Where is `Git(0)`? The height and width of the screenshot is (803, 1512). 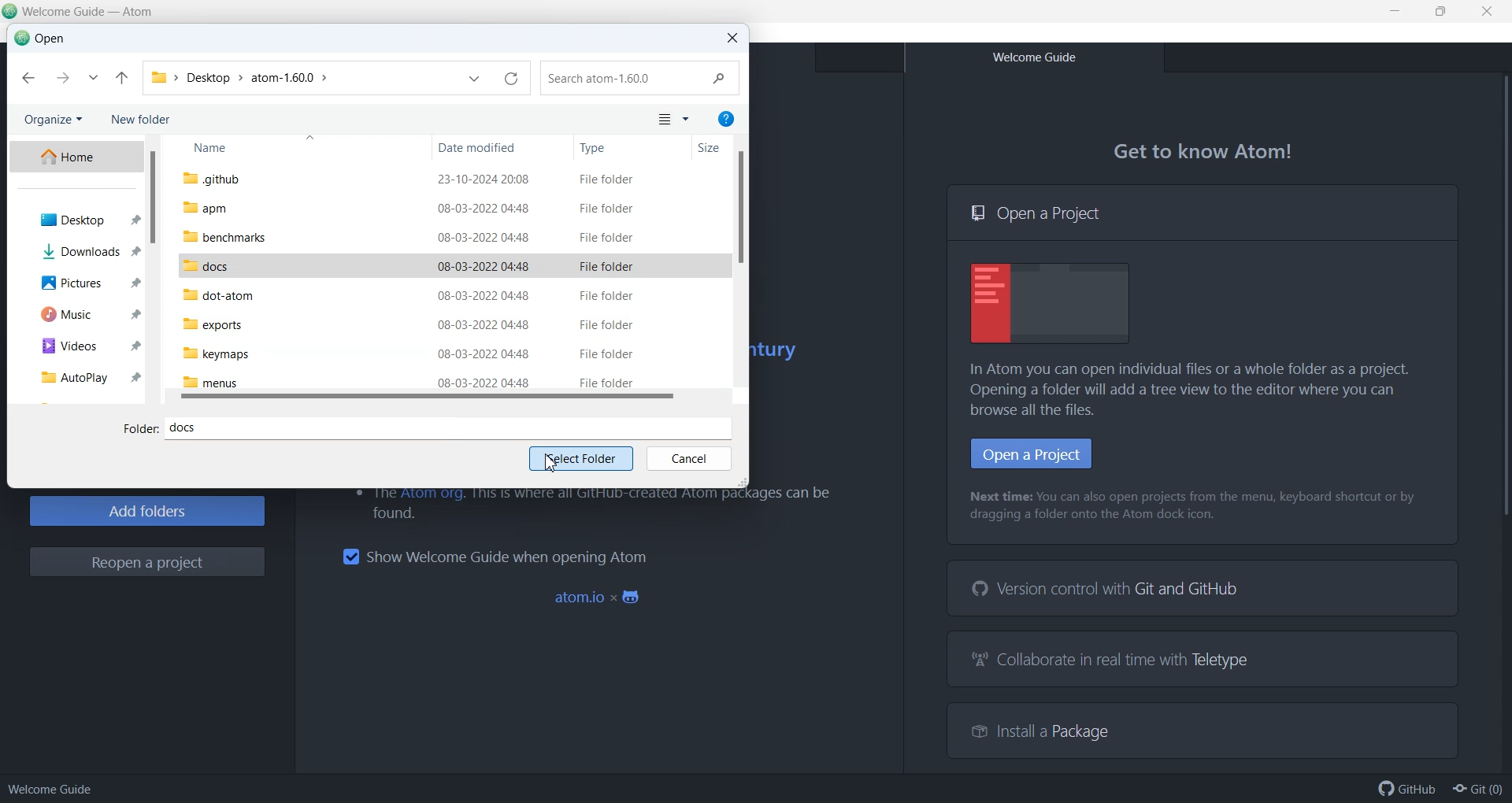 Git(0) is located at coordinates (1477, 789).